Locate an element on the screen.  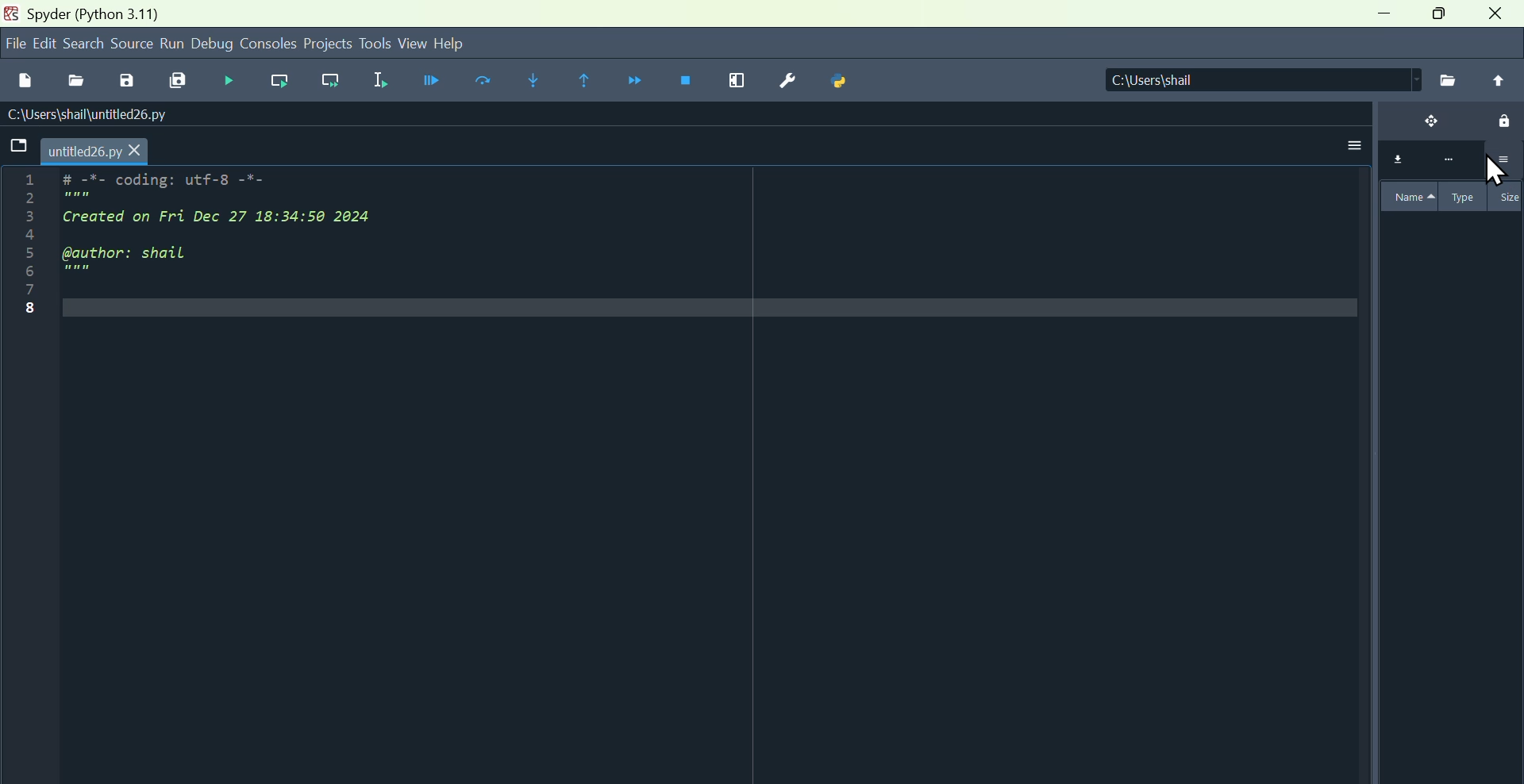
Python path manager is located at coordinates (844, 83).